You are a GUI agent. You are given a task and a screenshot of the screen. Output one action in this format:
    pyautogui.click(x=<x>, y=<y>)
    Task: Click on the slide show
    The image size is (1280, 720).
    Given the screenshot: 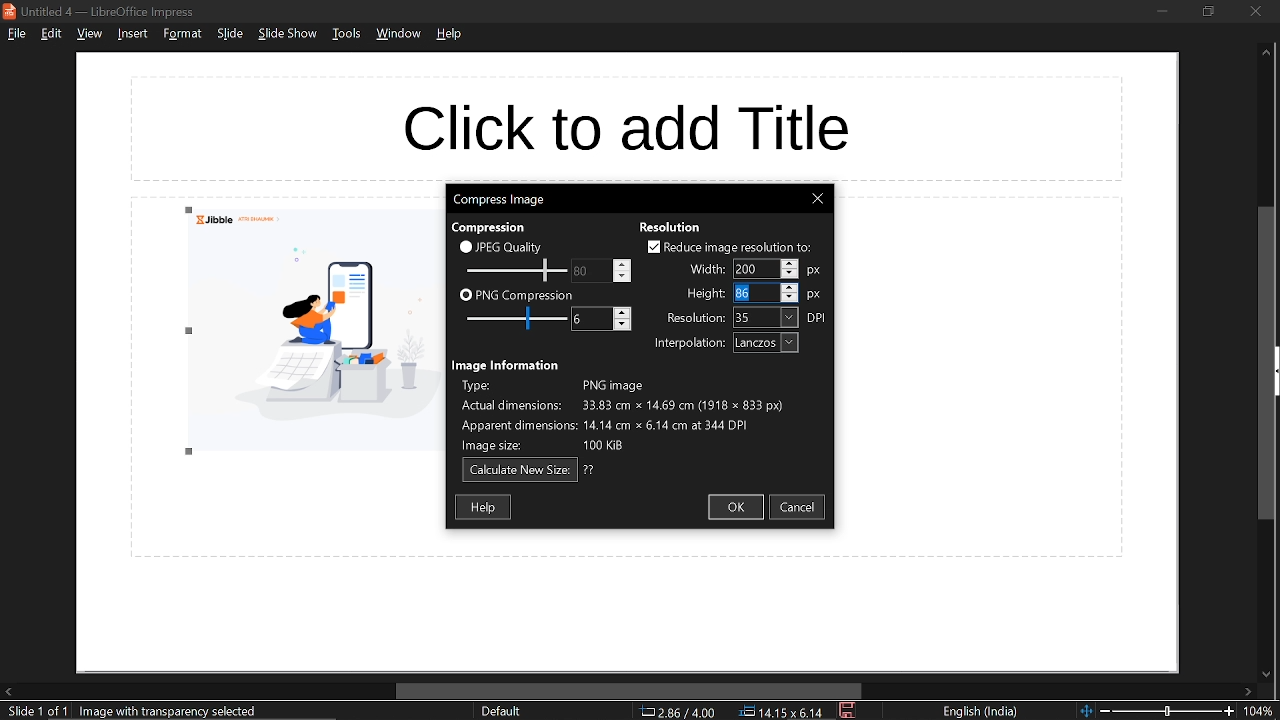 What is the action you would take?
    pyautogui.click(x=288, y=34)
    